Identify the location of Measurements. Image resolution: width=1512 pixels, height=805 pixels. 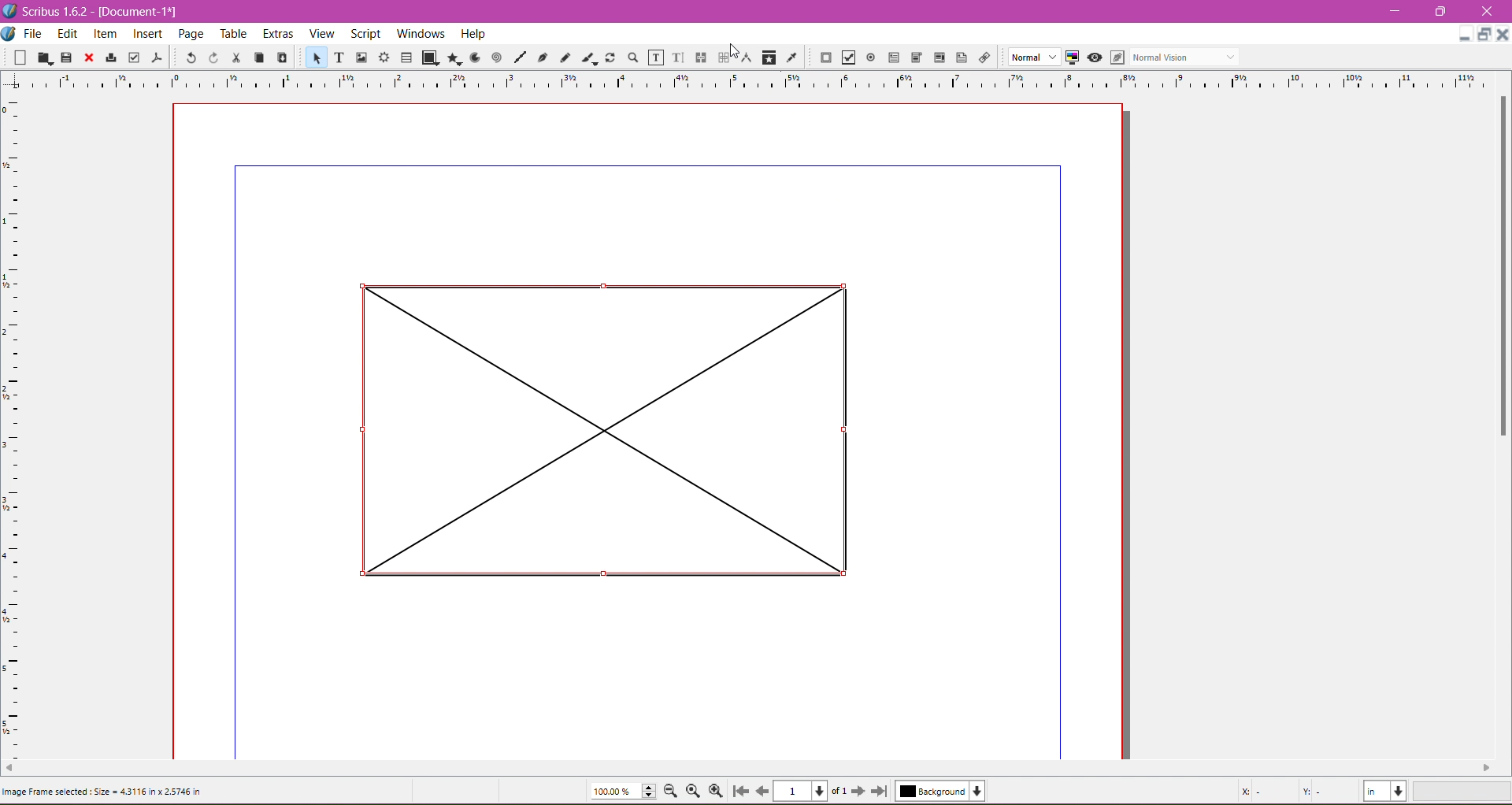
(747, 57).